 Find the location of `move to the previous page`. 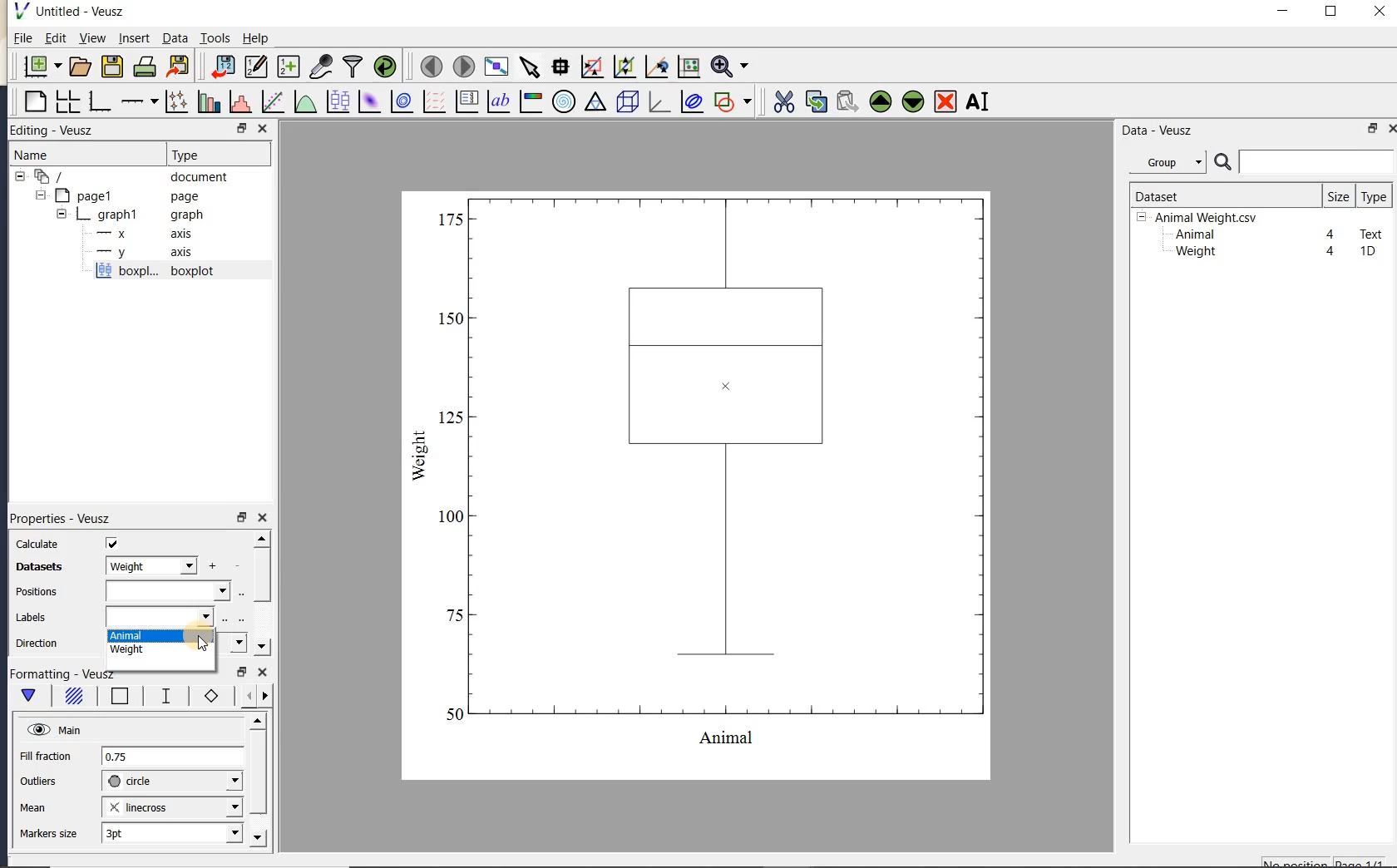

move to the previous page is located at coordinates (428, 65).